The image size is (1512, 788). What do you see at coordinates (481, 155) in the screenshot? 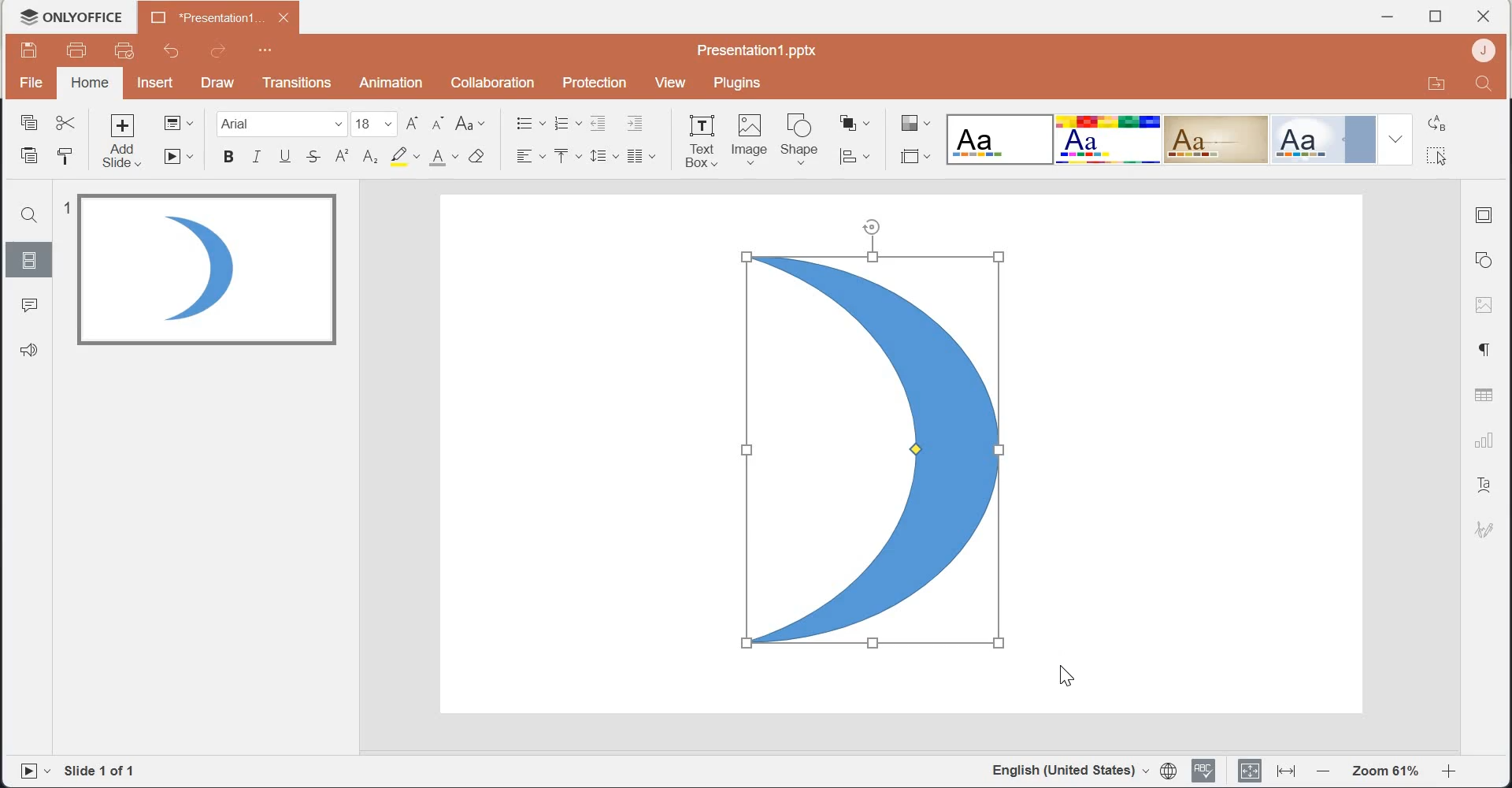
I see `Clear style` at bounding box center [481, 155].